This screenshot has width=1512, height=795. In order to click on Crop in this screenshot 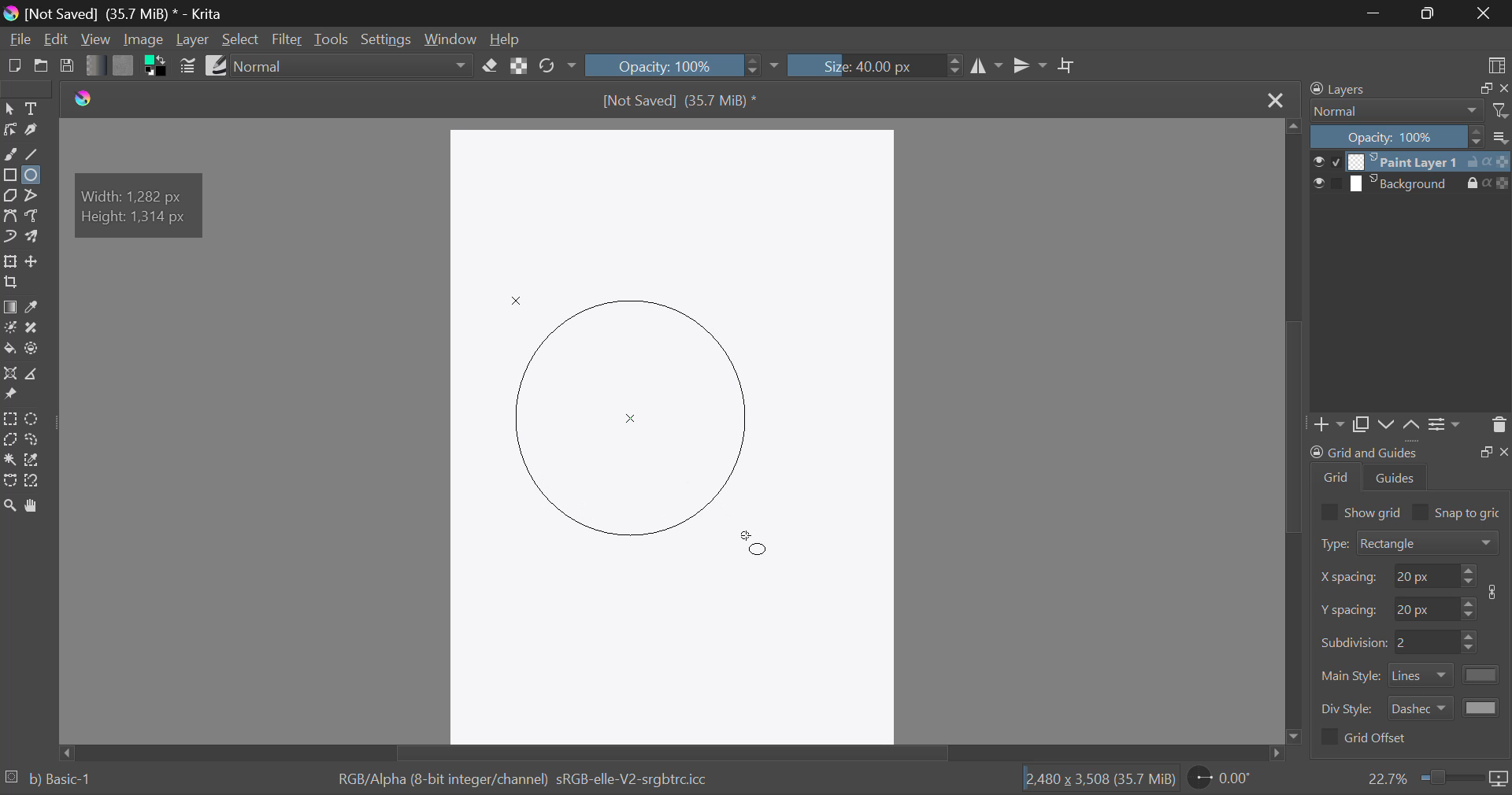, I will do `click(9, 283)`.